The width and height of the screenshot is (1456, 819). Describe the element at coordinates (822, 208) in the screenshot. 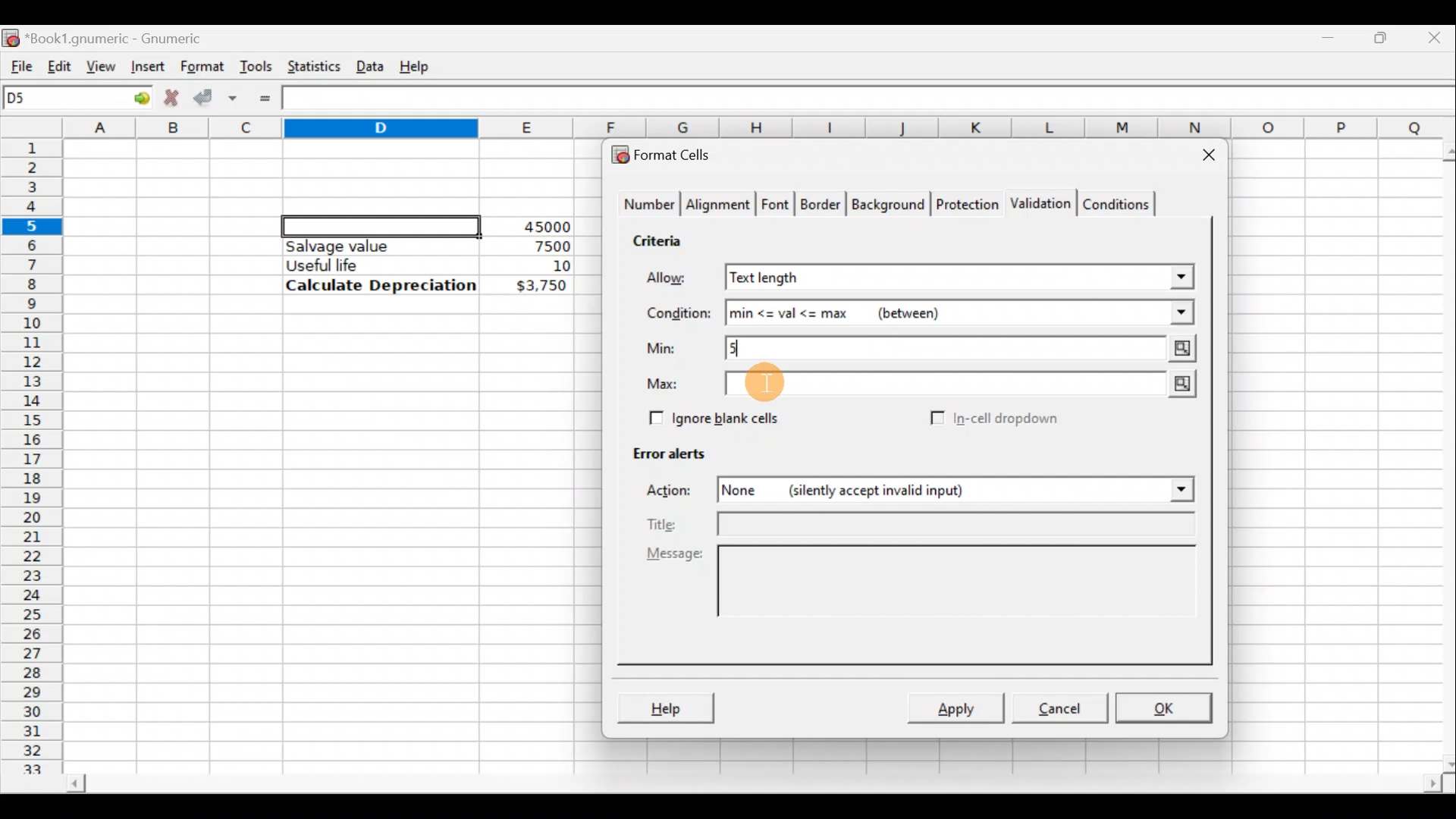

I see `Border` at that location.